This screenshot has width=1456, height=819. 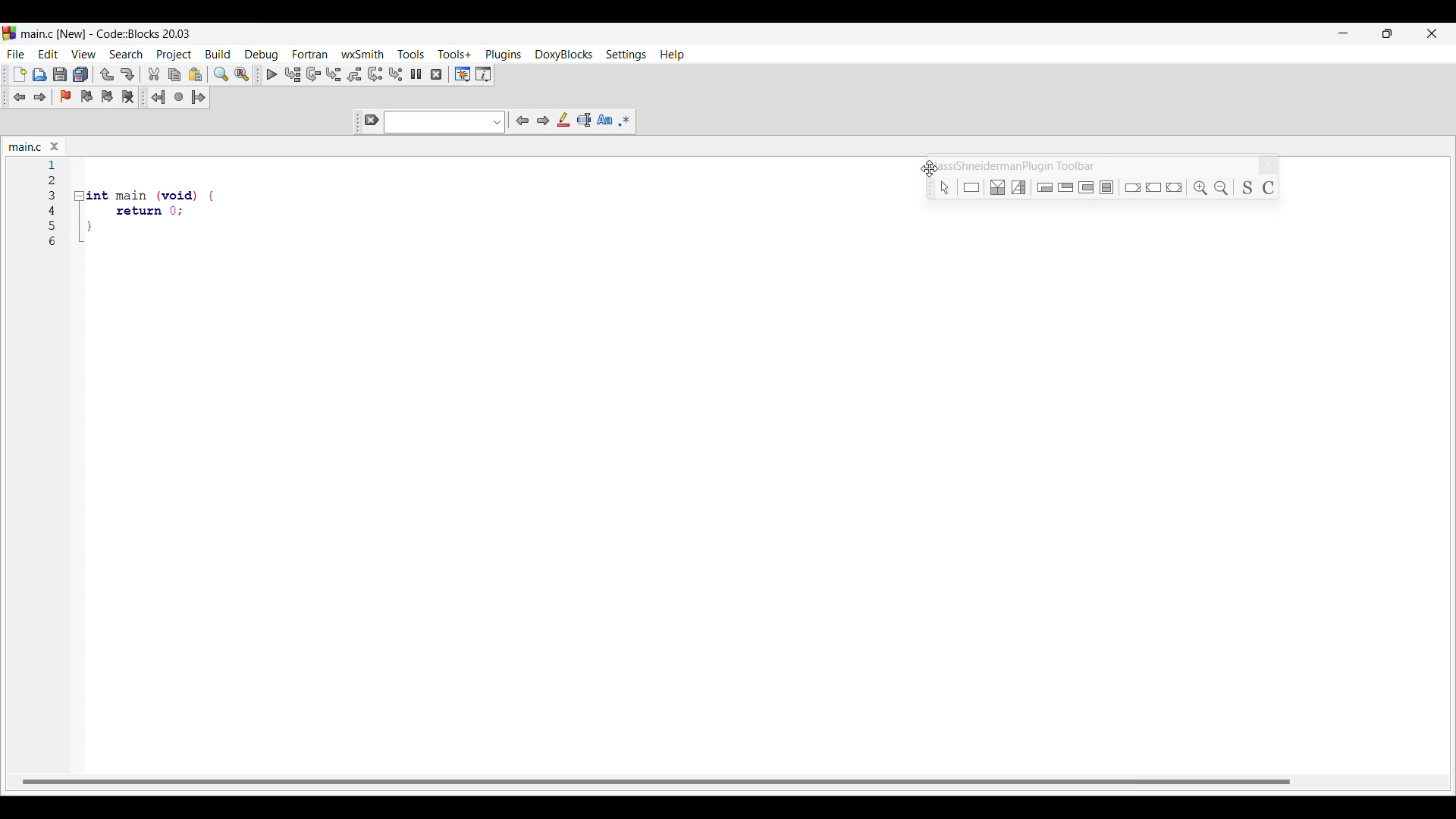 What do you see at coordinates (20, 97) in the screenshot?
I see `Toggle back` at bounding box center [20, 97].